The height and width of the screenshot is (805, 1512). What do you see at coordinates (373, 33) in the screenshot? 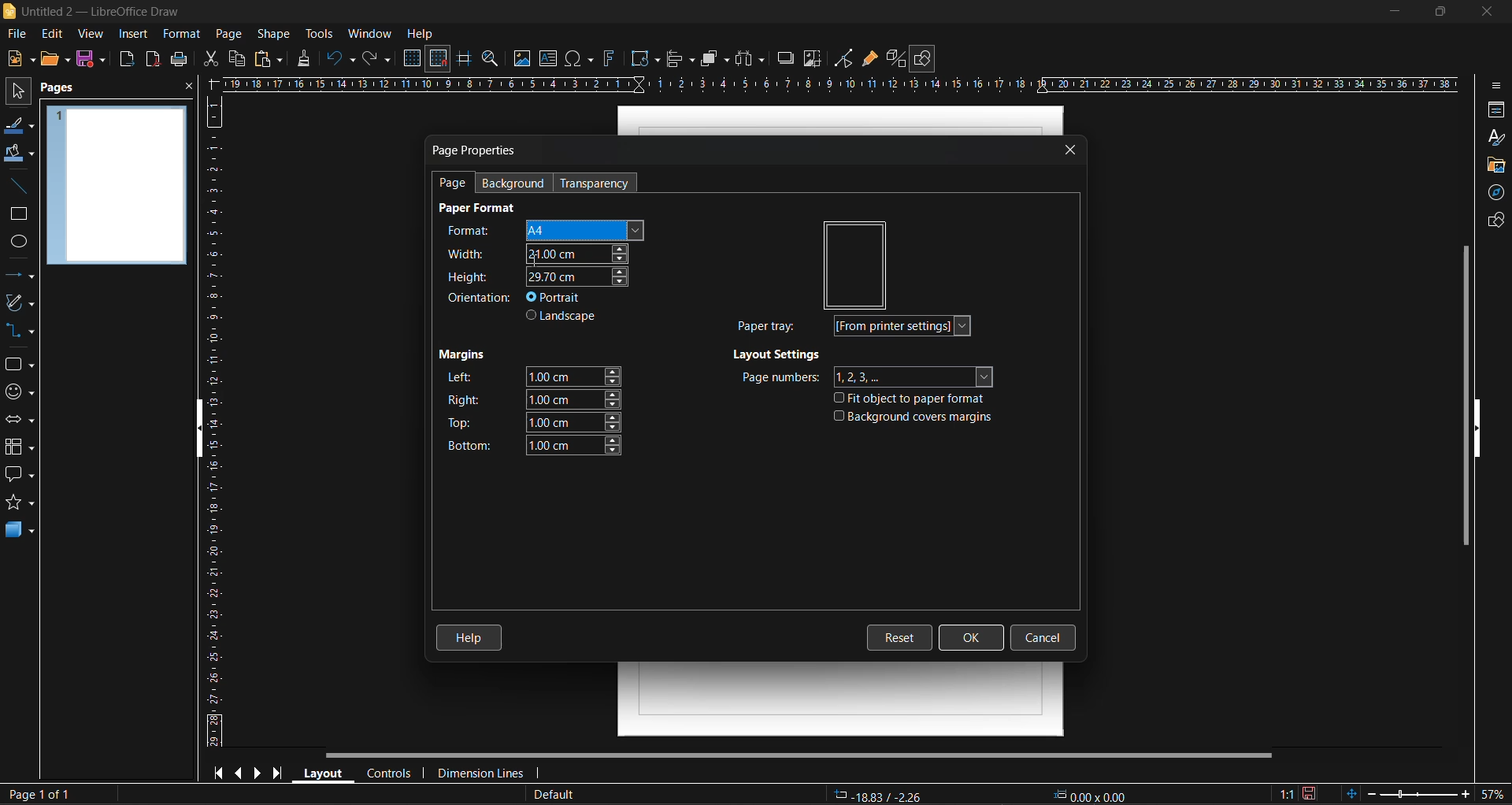
I see `window` at bounding box center [373, 33].